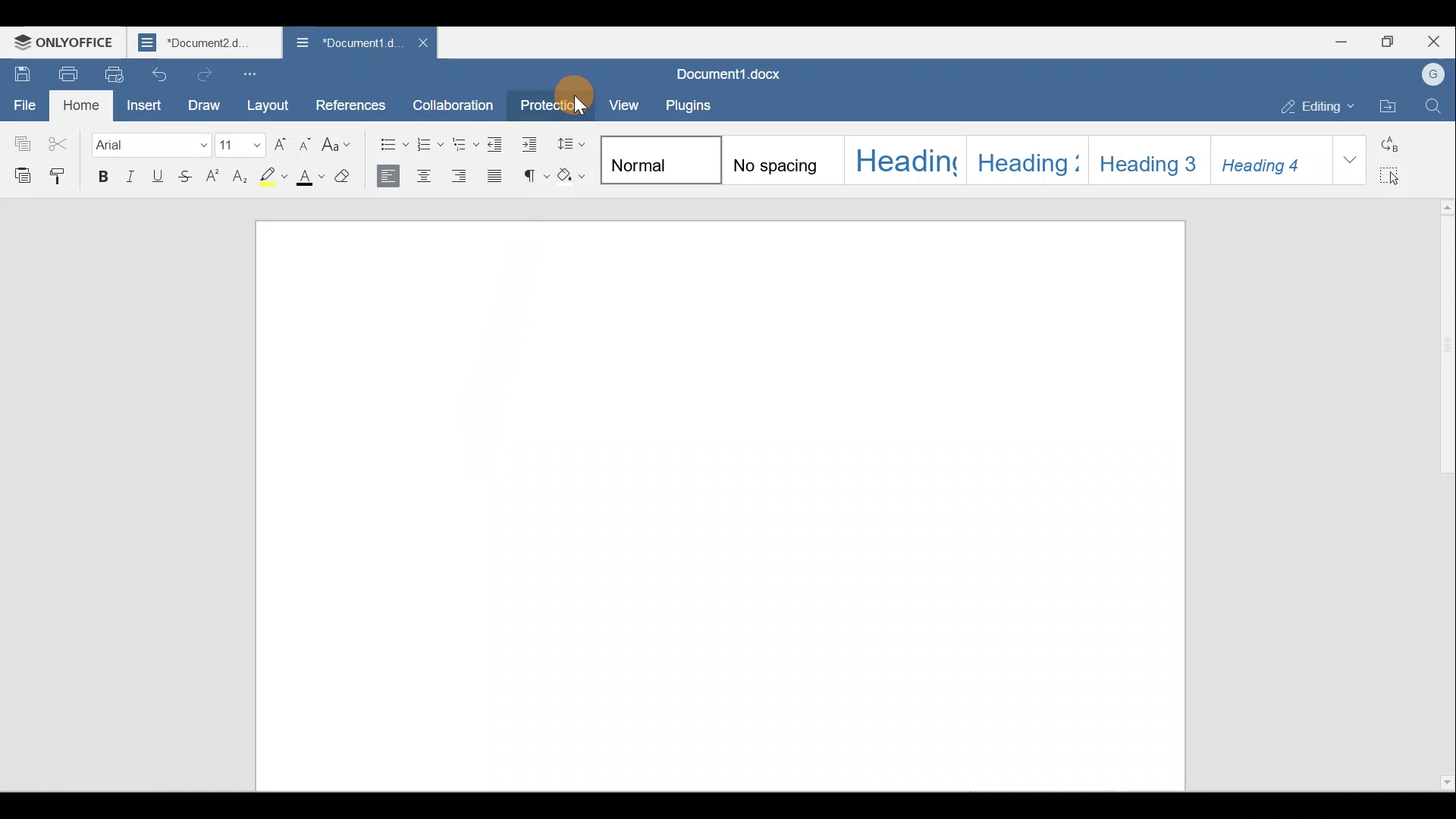 Image resolution: width=1456 pixels, height=819 pixels. I want to click on Document name, so click(206, 43).